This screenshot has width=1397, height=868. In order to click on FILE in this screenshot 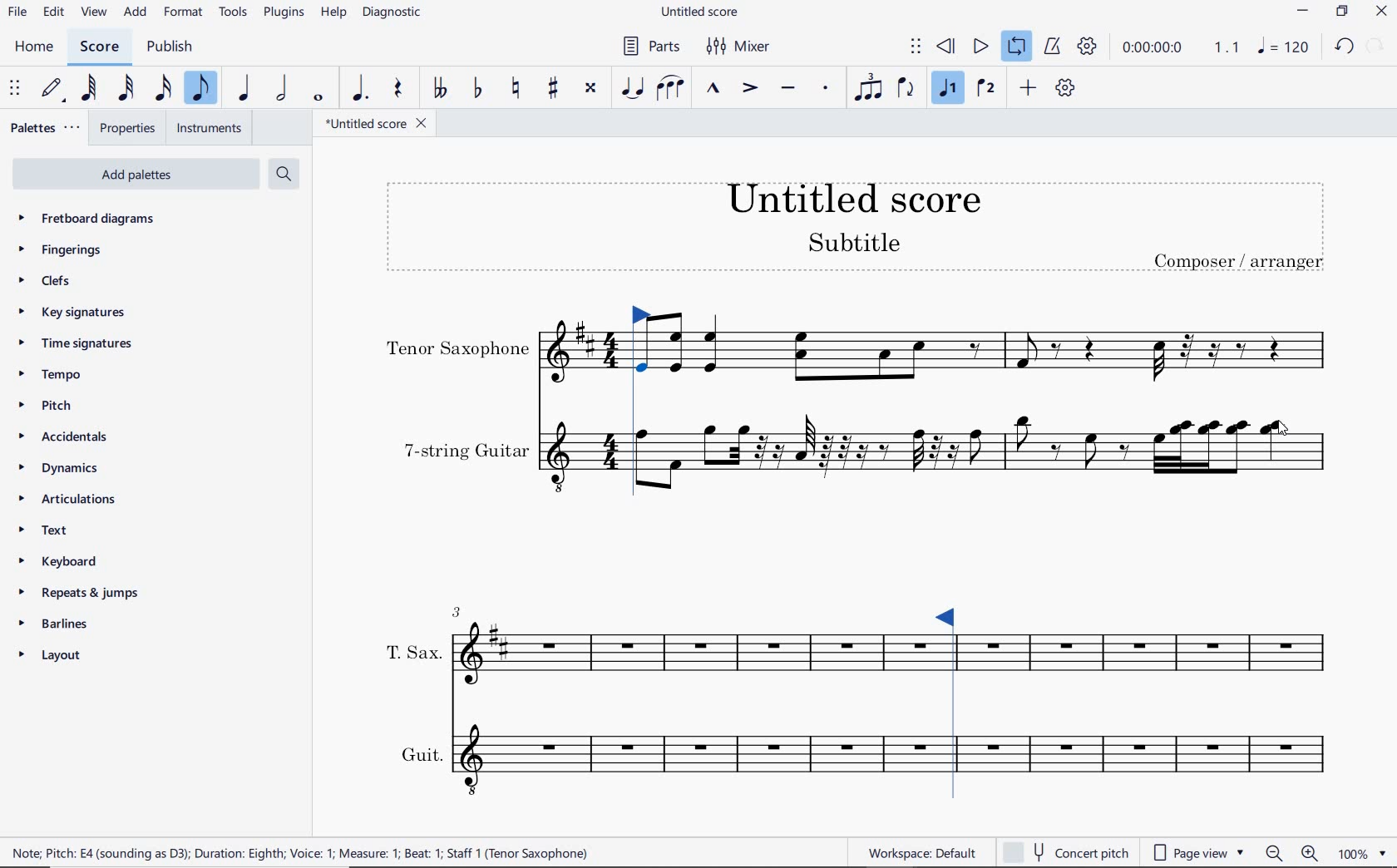, I will do `click(18, 14)`.